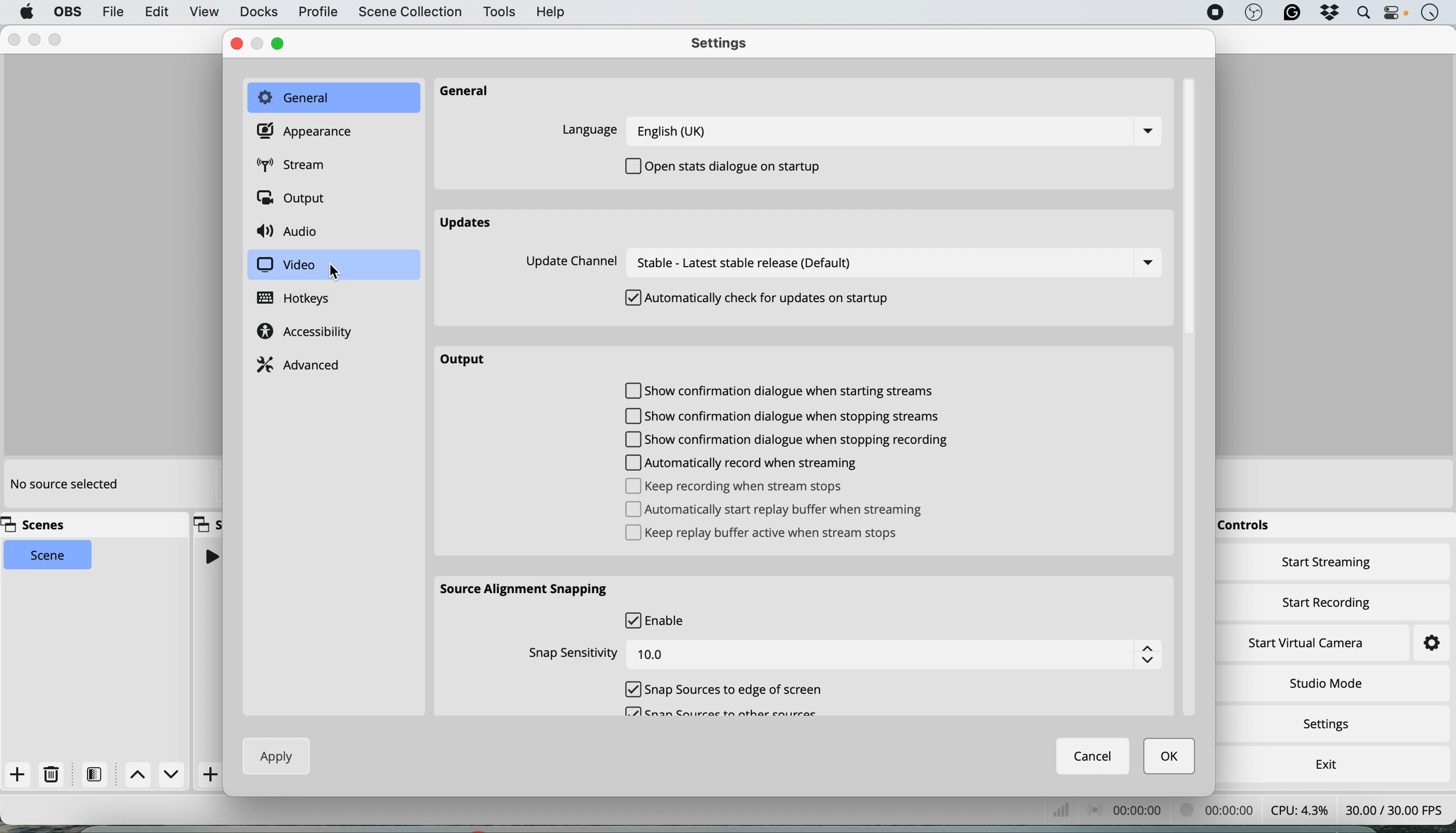  Describe the element at coordinates (285, 265) in the screenshot. I see `video` at that location.